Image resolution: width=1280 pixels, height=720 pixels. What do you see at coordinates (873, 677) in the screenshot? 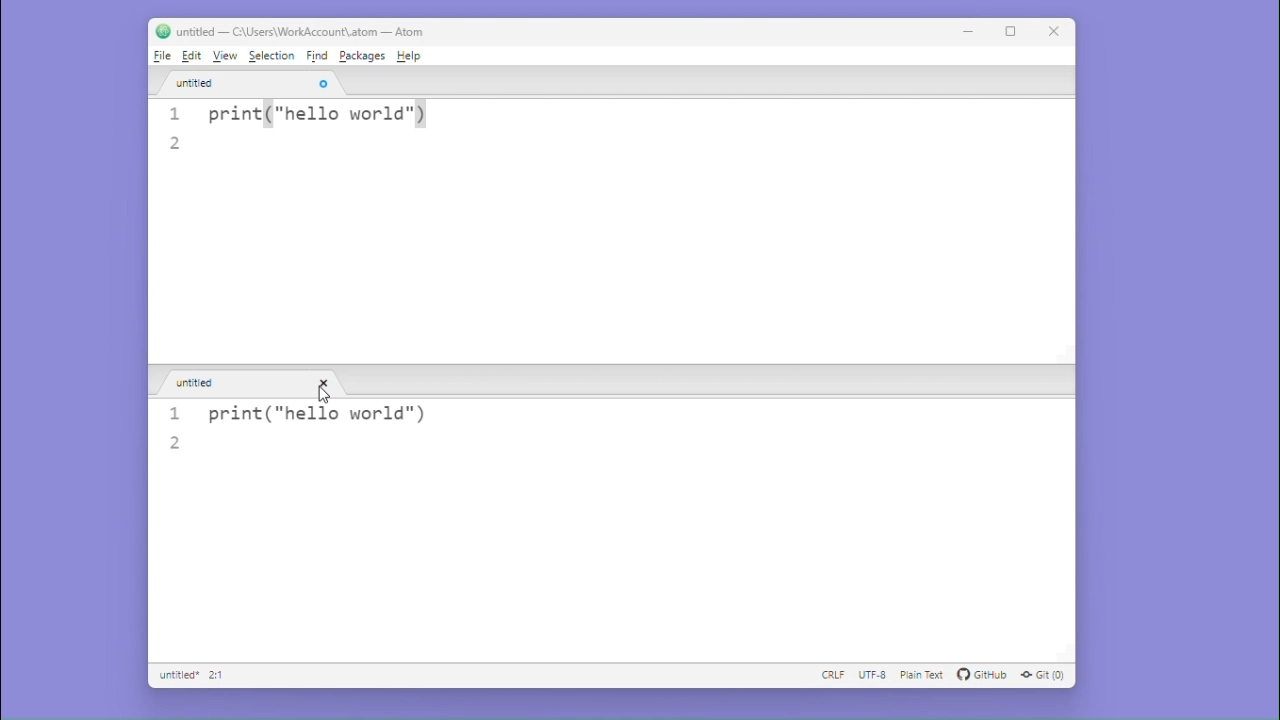
I see `UTF-8` at bounding box center [873, 677].